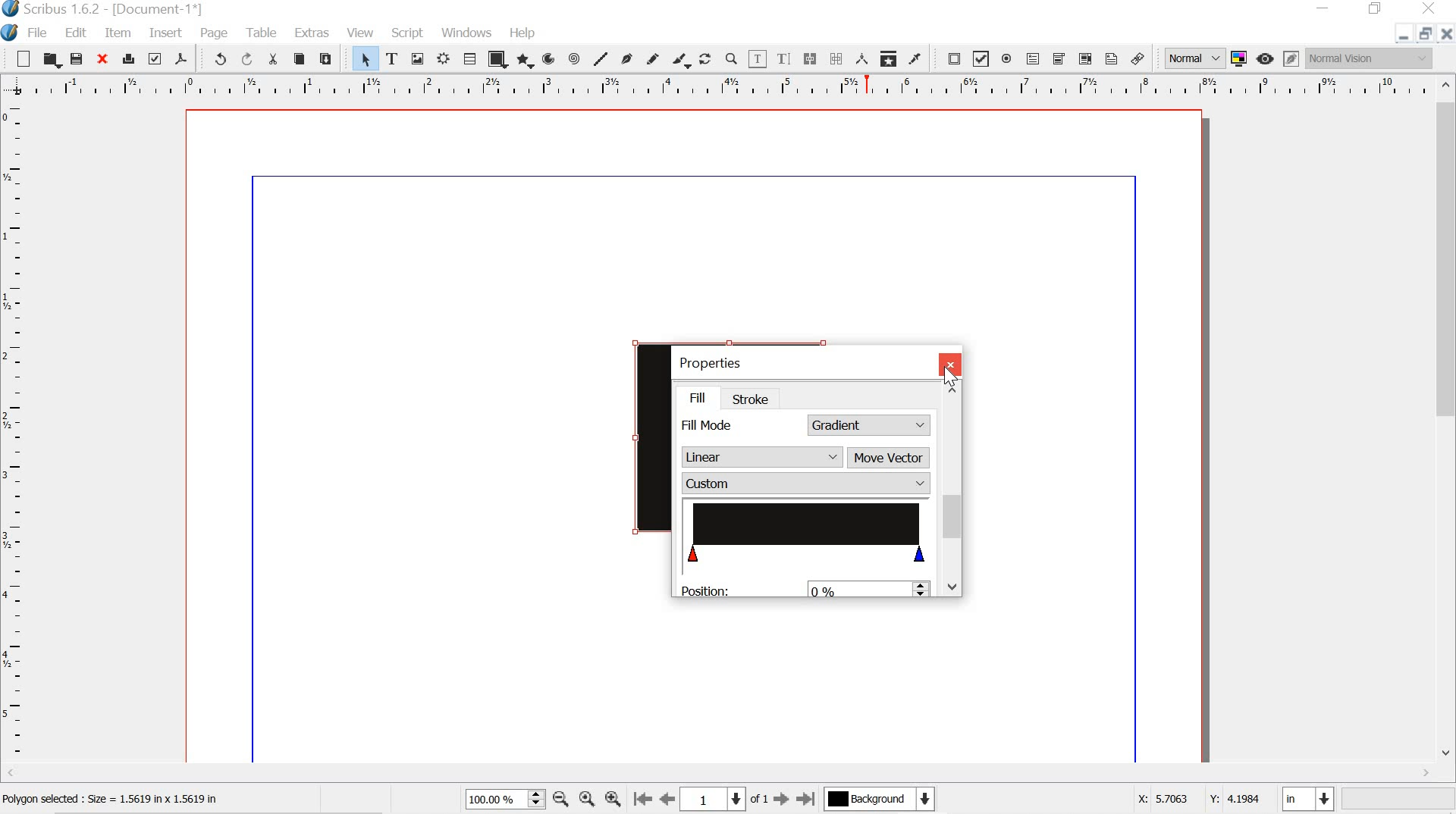 The image size is (1456, 814). I want to click on restore down, so click(1376, 9).